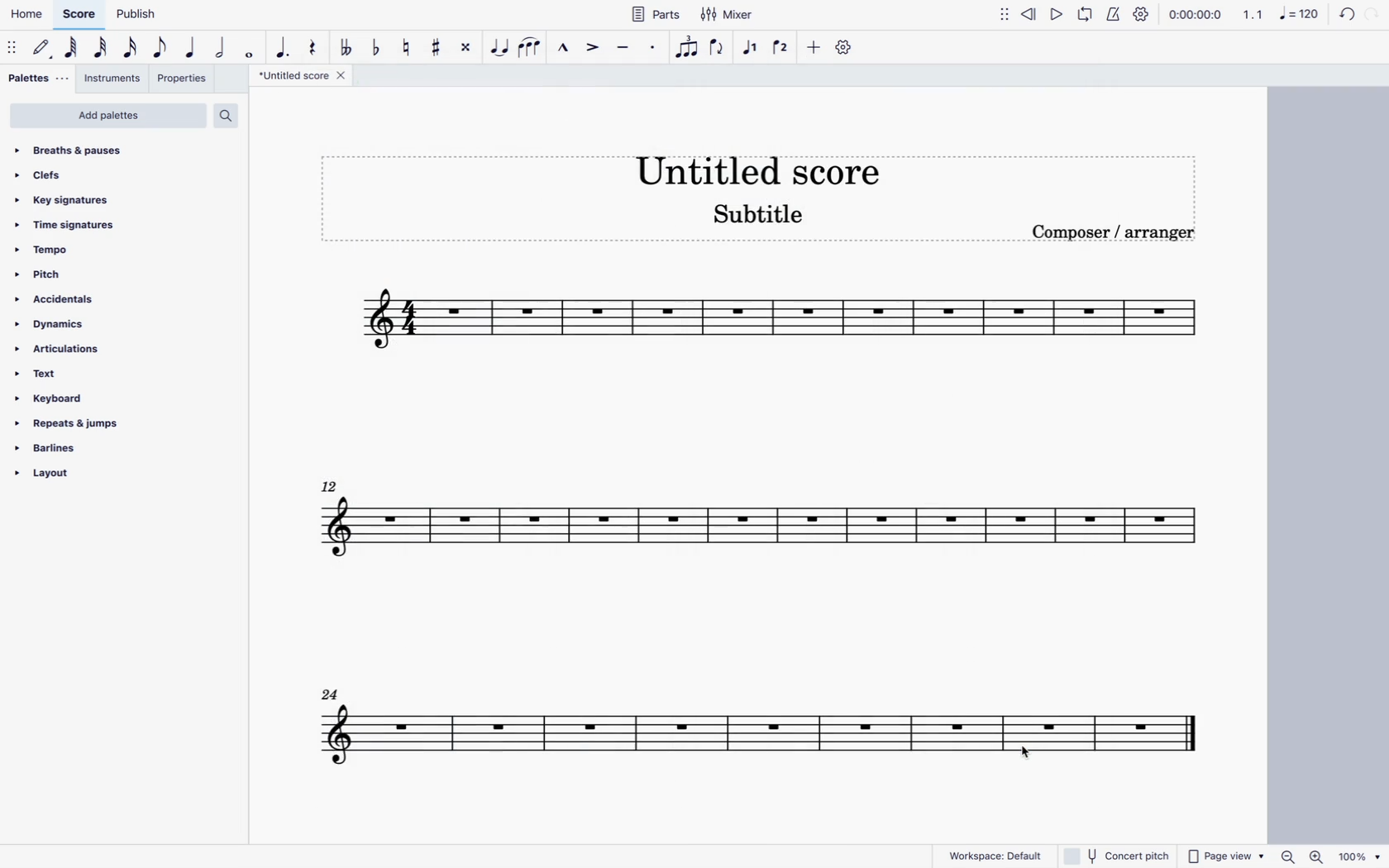 The image size is (1389, 868). What do you see at coordinates (64, 199) in the screenshot?
I see `key signatures` at bounding box center [64, 199].